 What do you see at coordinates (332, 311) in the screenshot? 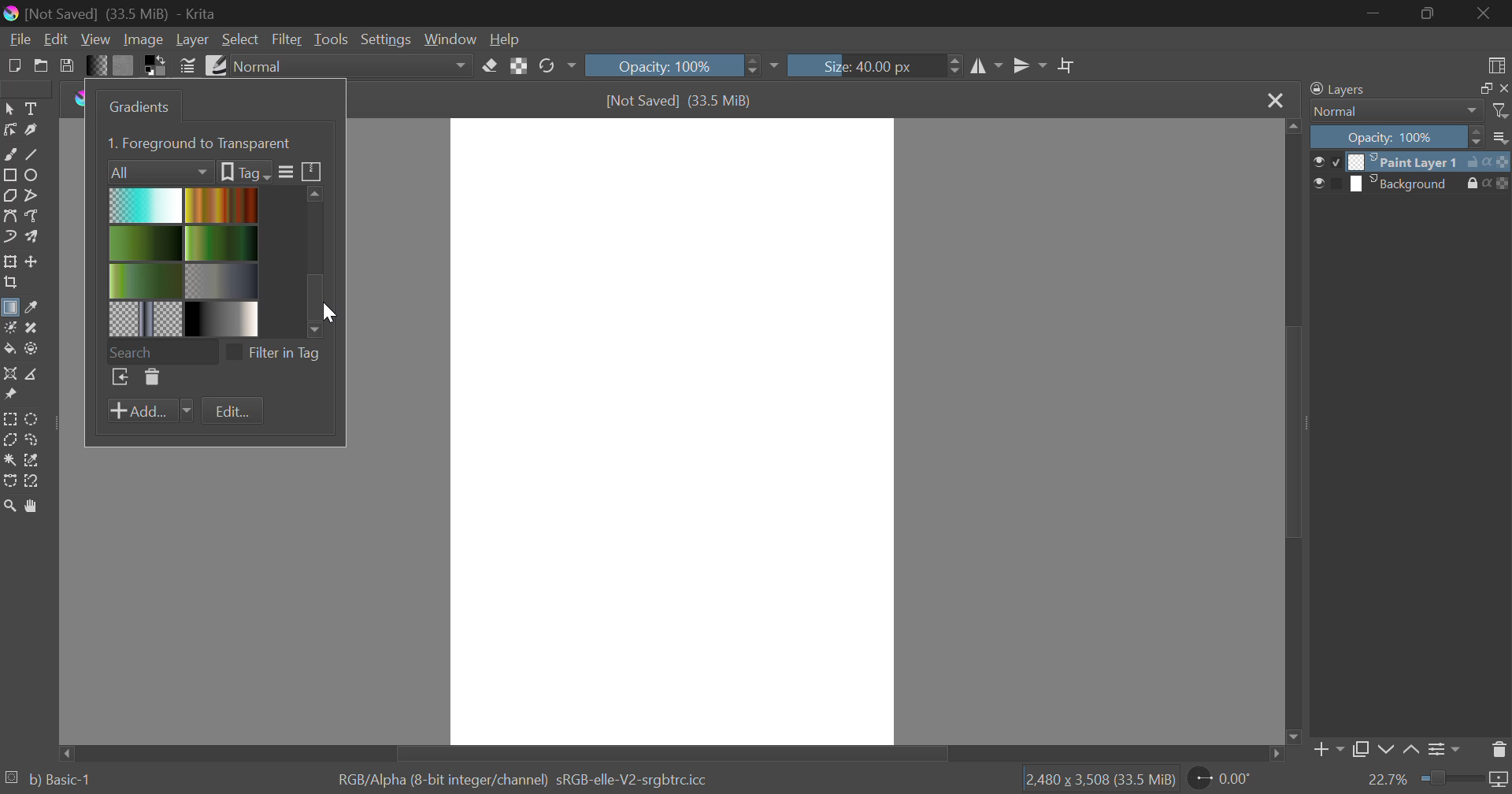
I see `cursor` at bounding box center [332, 311].